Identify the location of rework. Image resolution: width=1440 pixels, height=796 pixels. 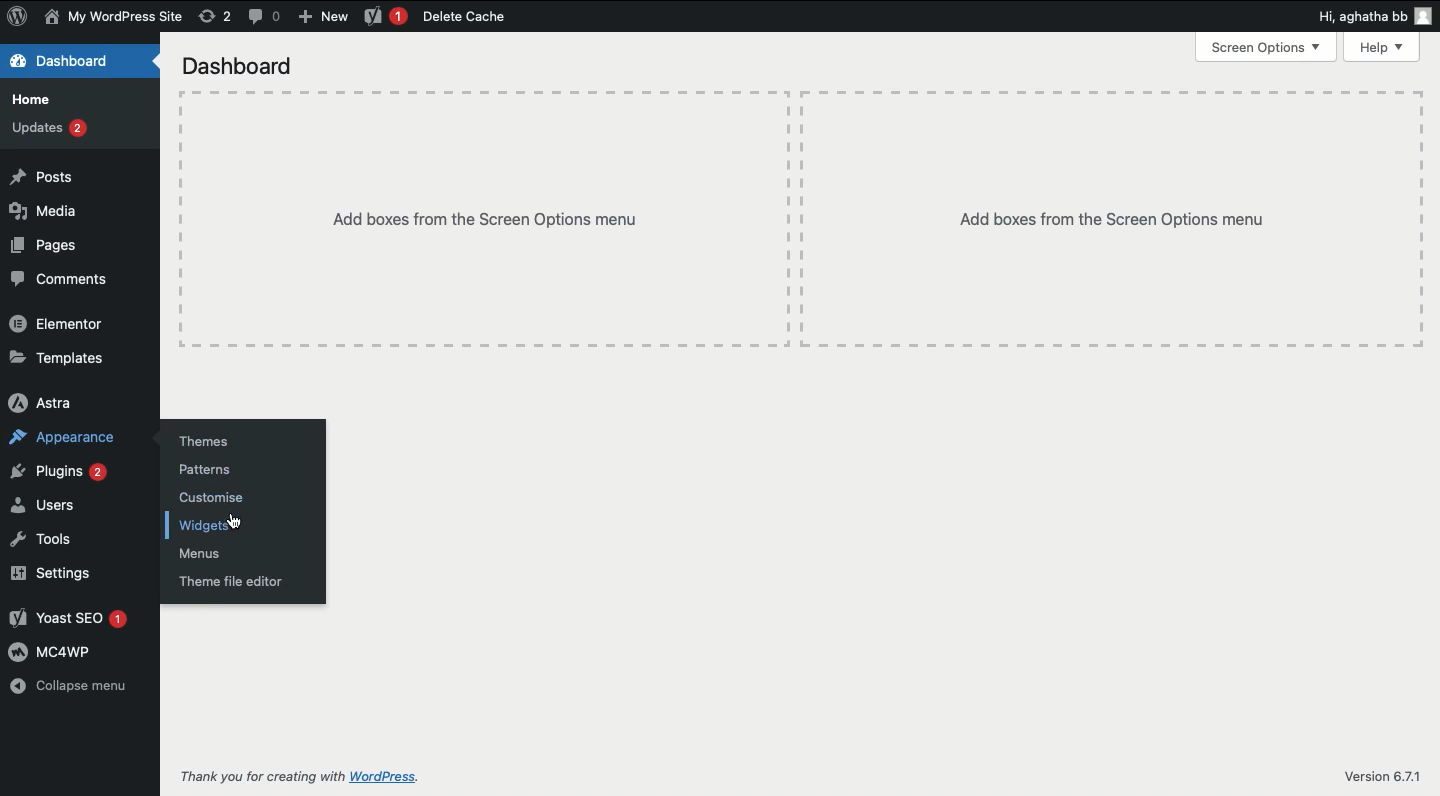
(212, 15).